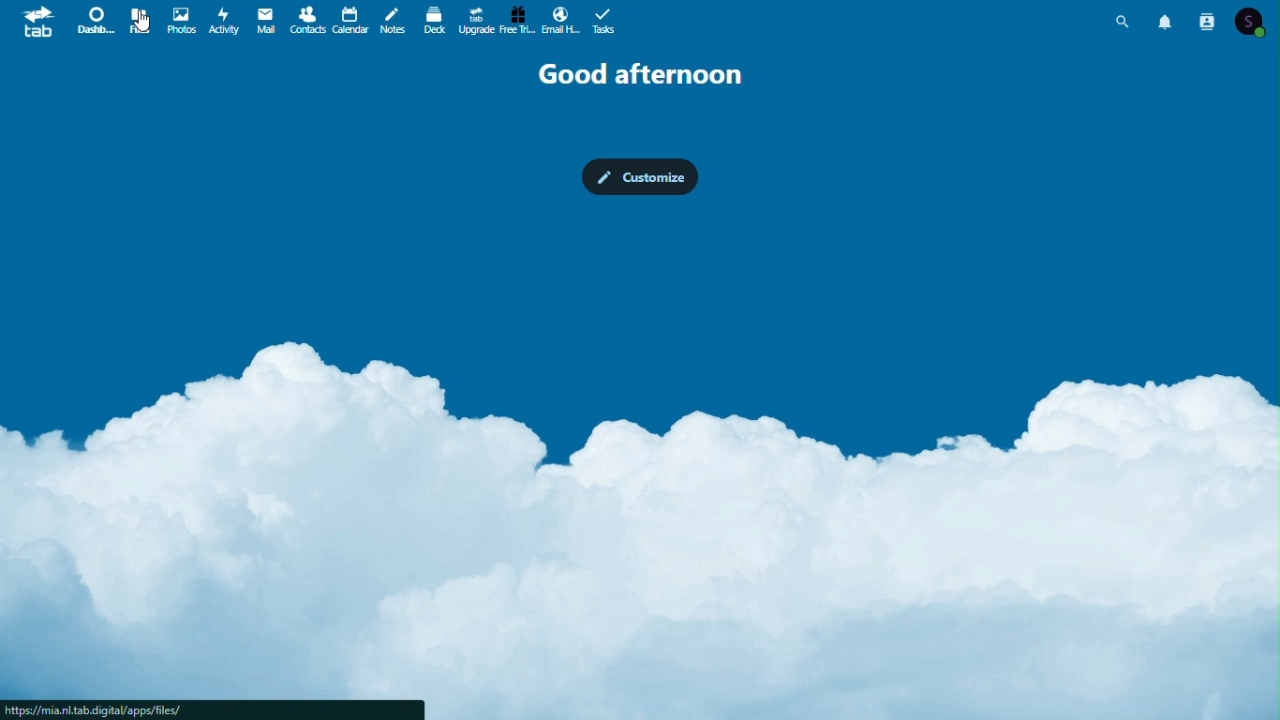 This screenshot has height=720, width=1280. I want to click on customize, so click(642, 177).